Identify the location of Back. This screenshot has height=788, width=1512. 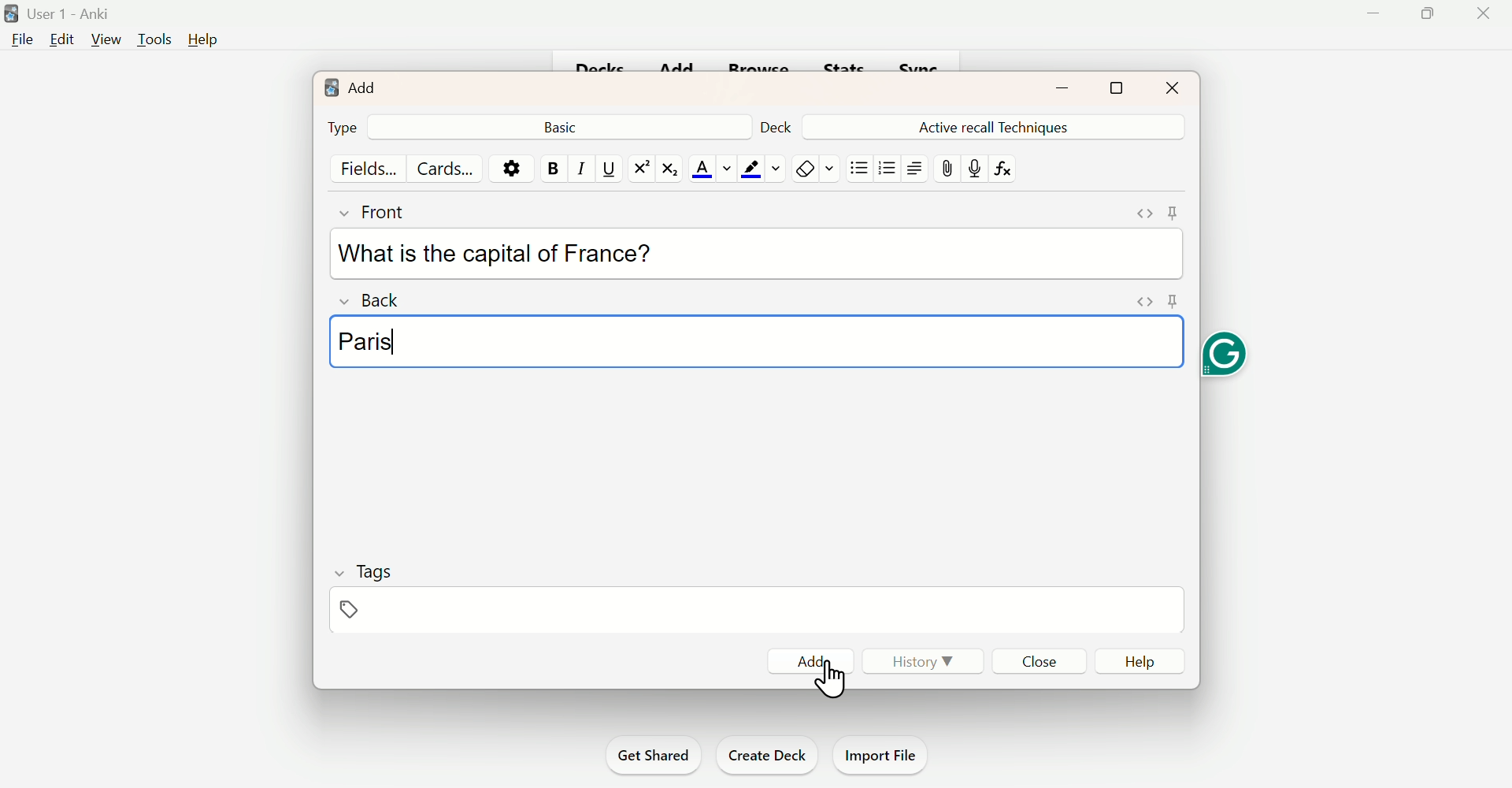
(373, 299).